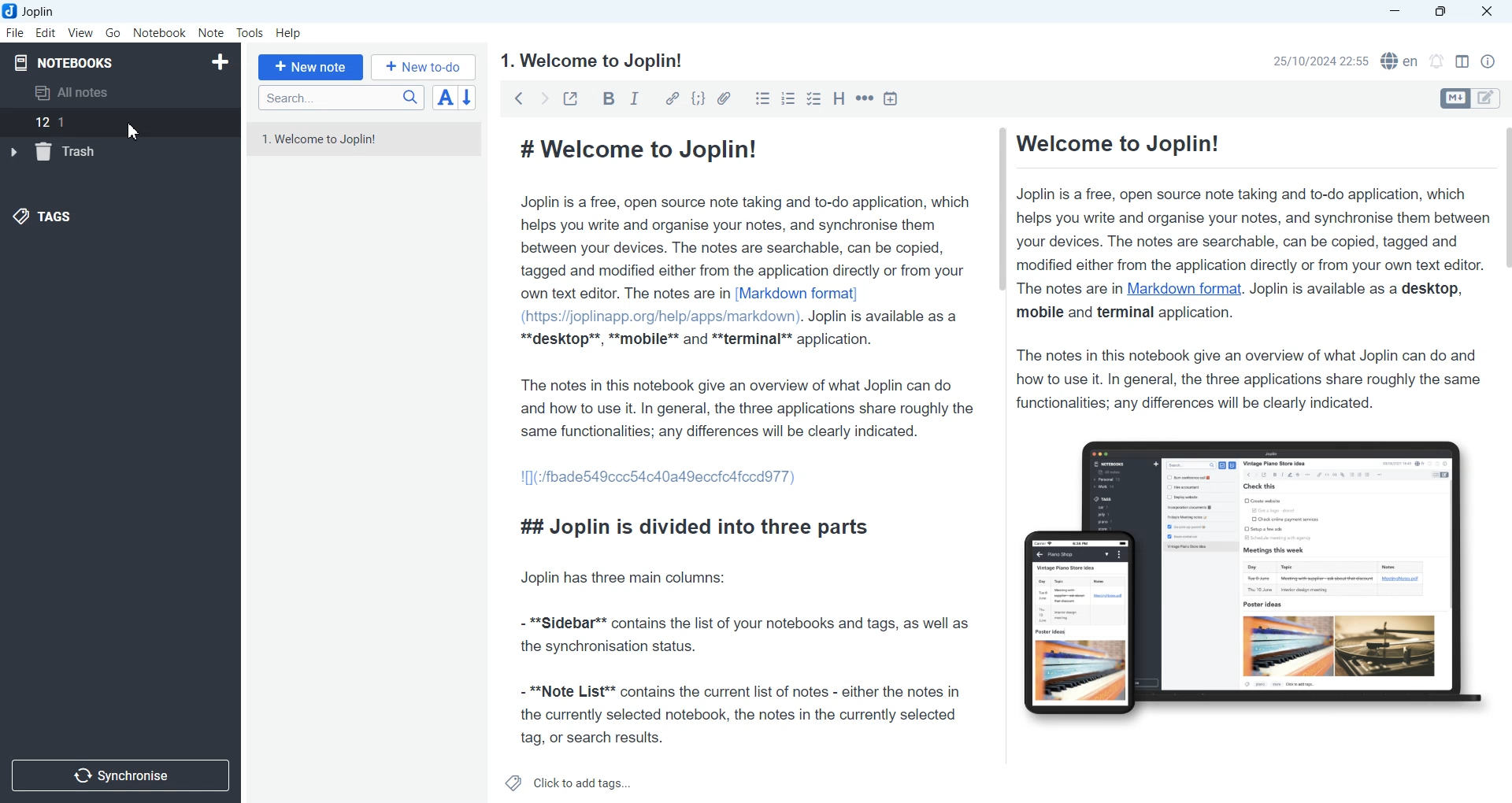  What do you see at coordinates (569, 783) in the screenshot?
I see `Click to add tags` at bounding box center [569, 783].